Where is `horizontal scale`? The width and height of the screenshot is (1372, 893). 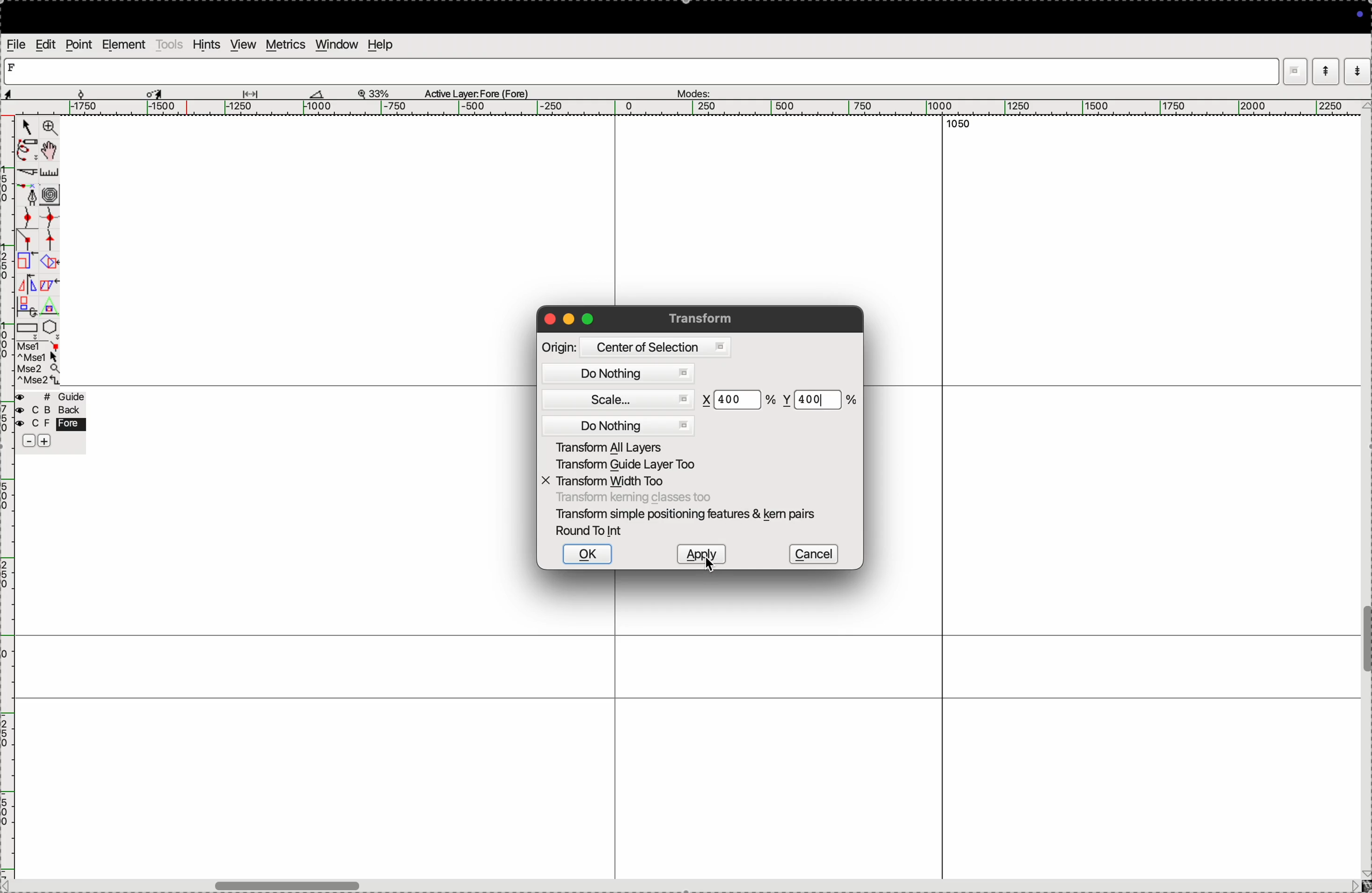
horizontal scale is located at coordinates (679, 108).